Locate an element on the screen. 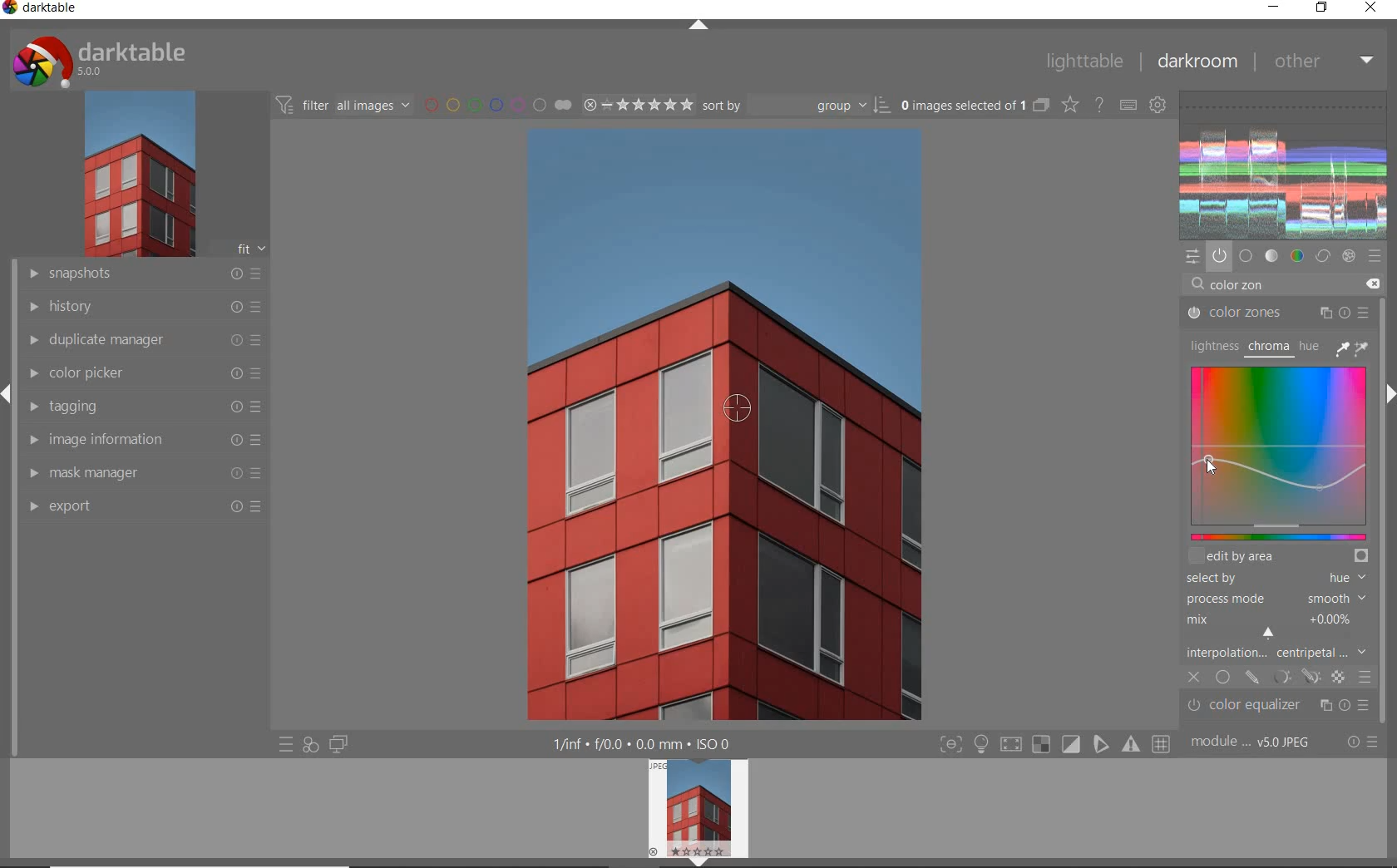  BUILDINGS COLOR RED DESATURATED is located at coordinates (727, 584).